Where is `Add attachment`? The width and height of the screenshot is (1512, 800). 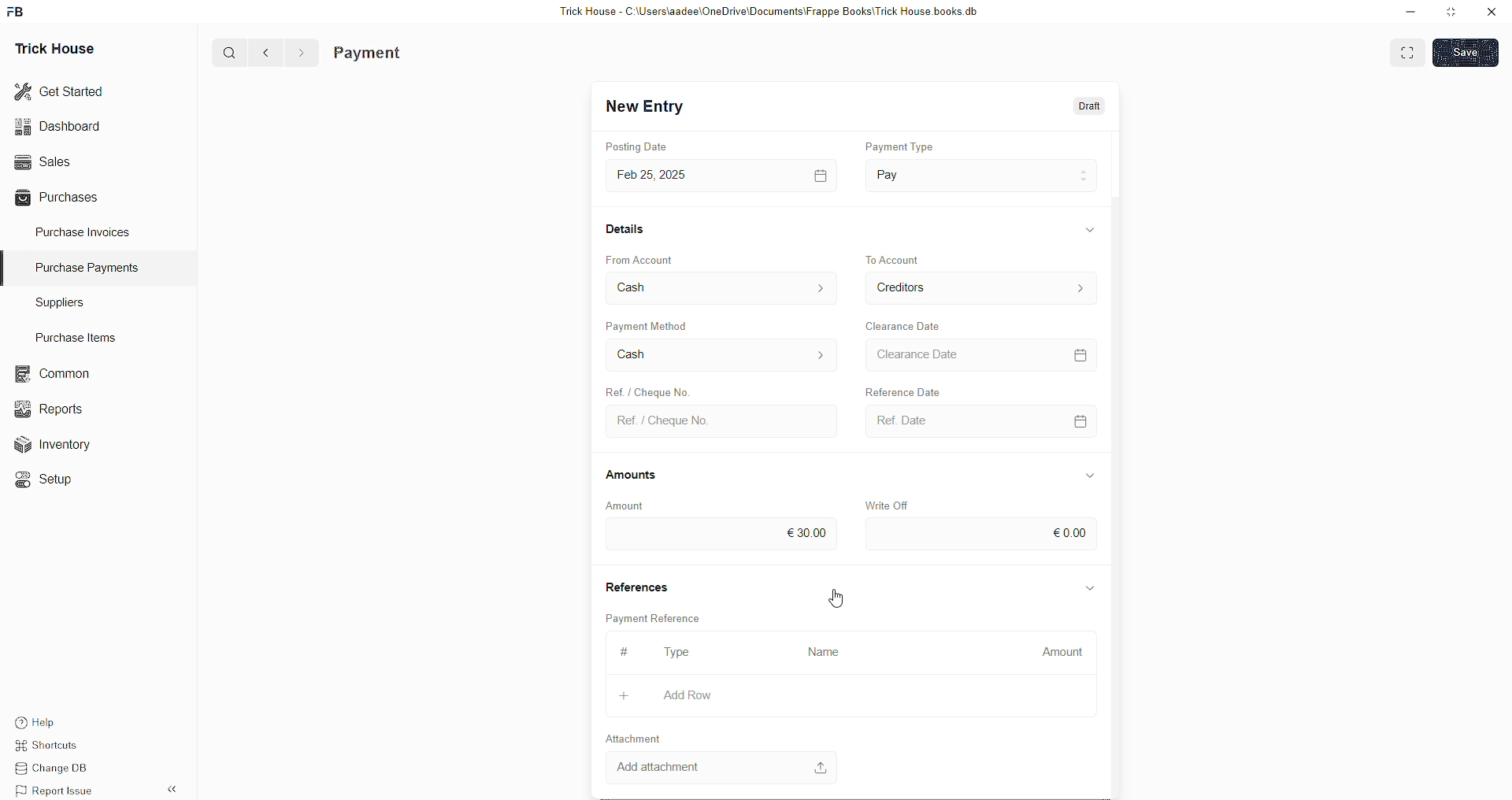 Add attachment is located at coordinates (722, 767).